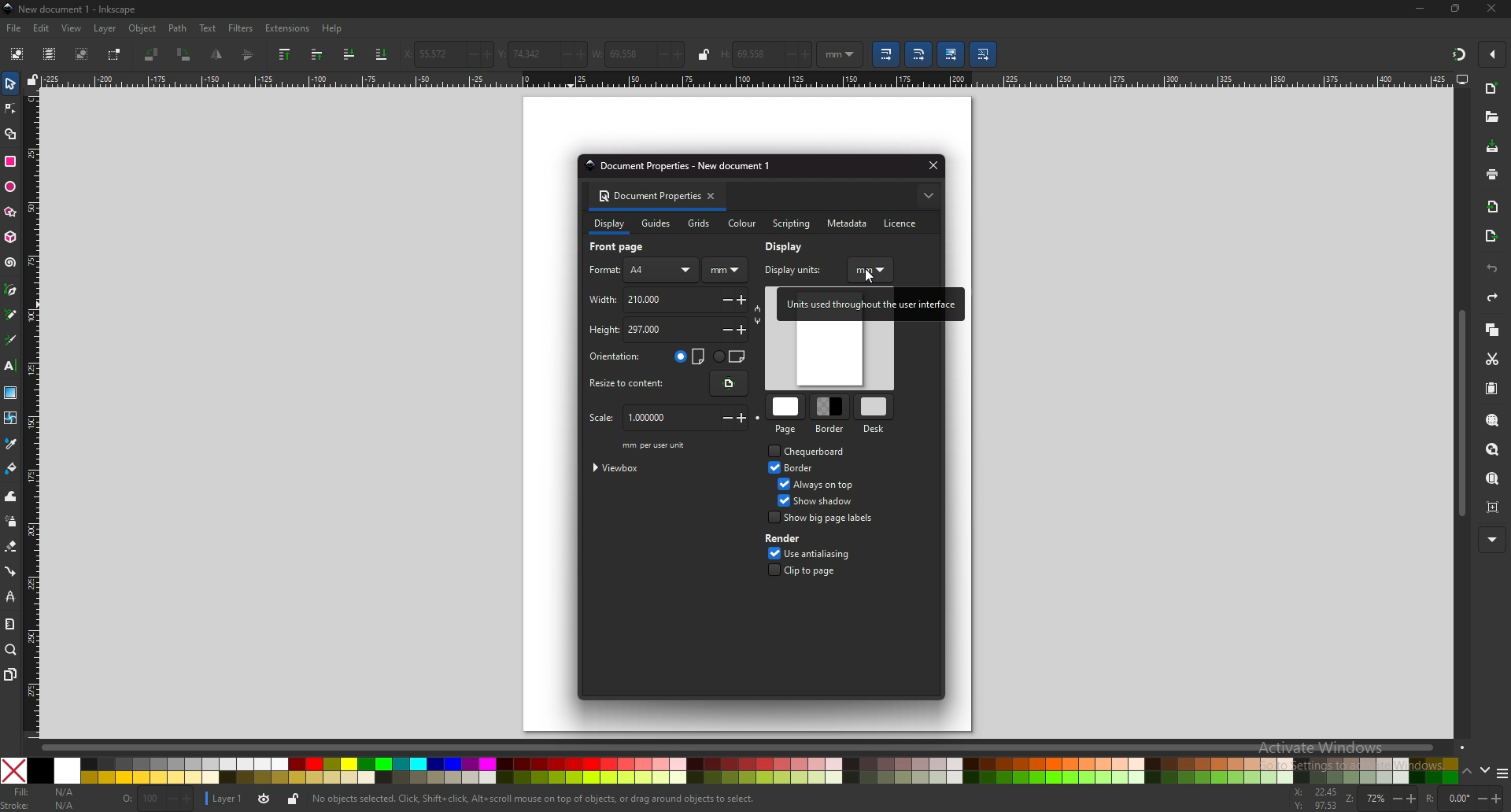 Image resolution: width=1511 pixels, height=812 pixels. I want to click on front page, so click(626, 248).